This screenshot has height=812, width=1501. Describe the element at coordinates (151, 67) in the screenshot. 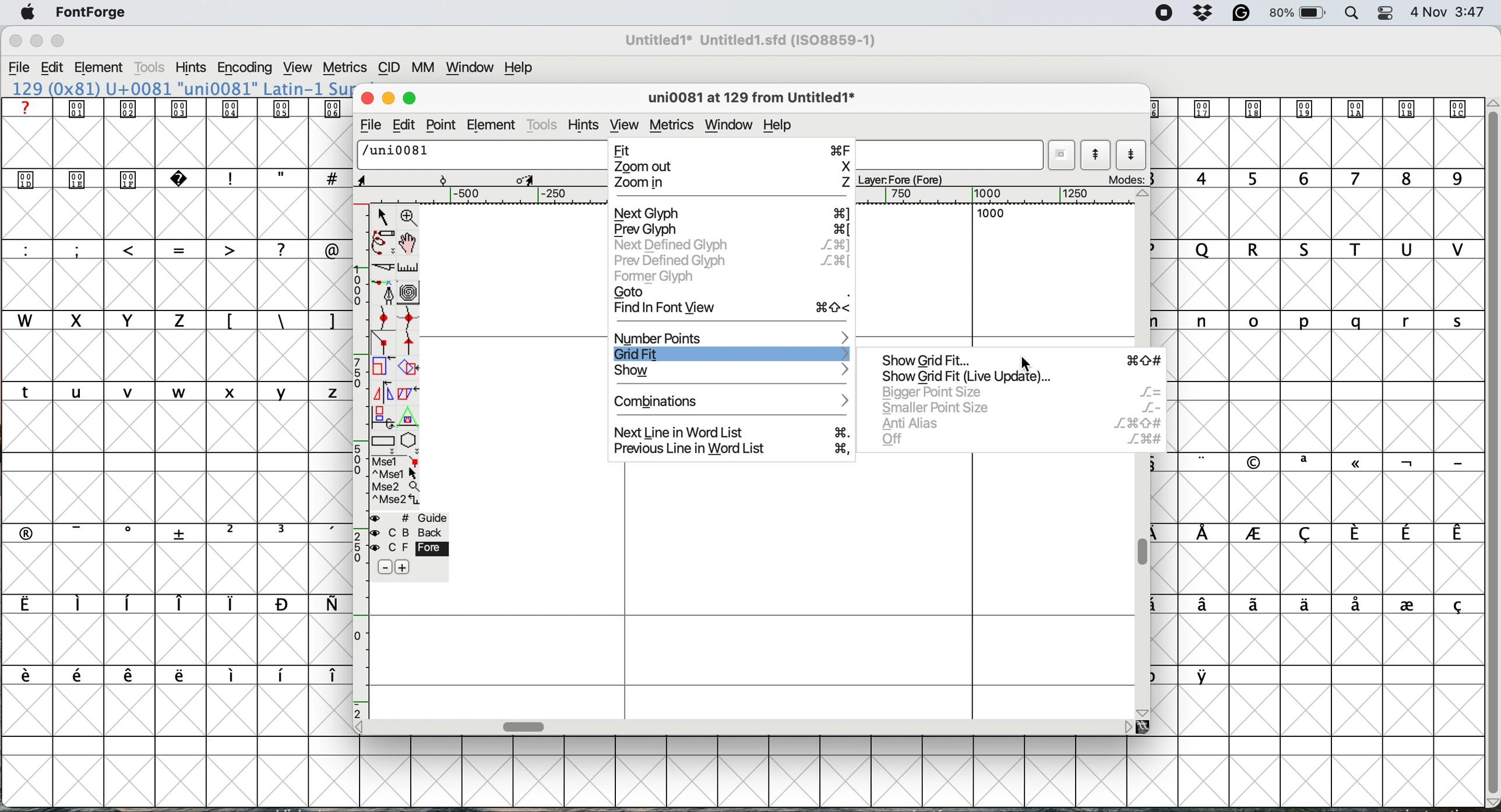

I see `Tools` at that location.